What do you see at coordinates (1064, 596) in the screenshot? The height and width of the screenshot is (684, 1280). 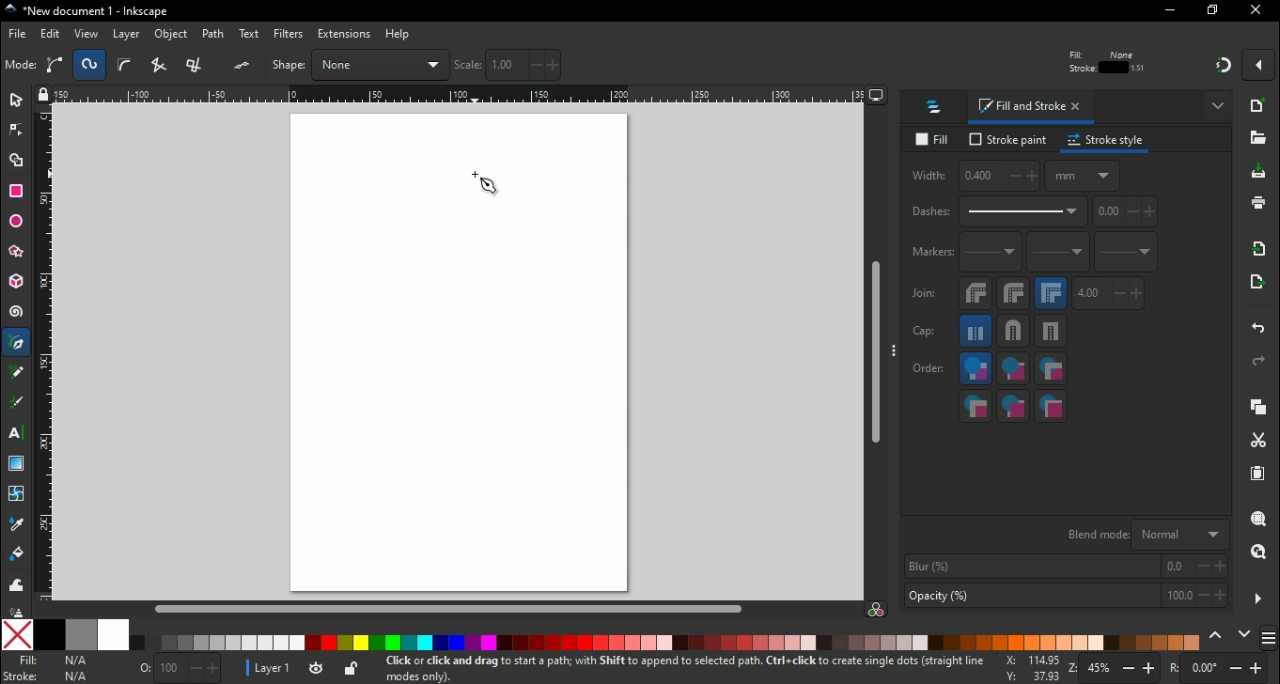 I see `opacity` at bounding box center [1064, 596].